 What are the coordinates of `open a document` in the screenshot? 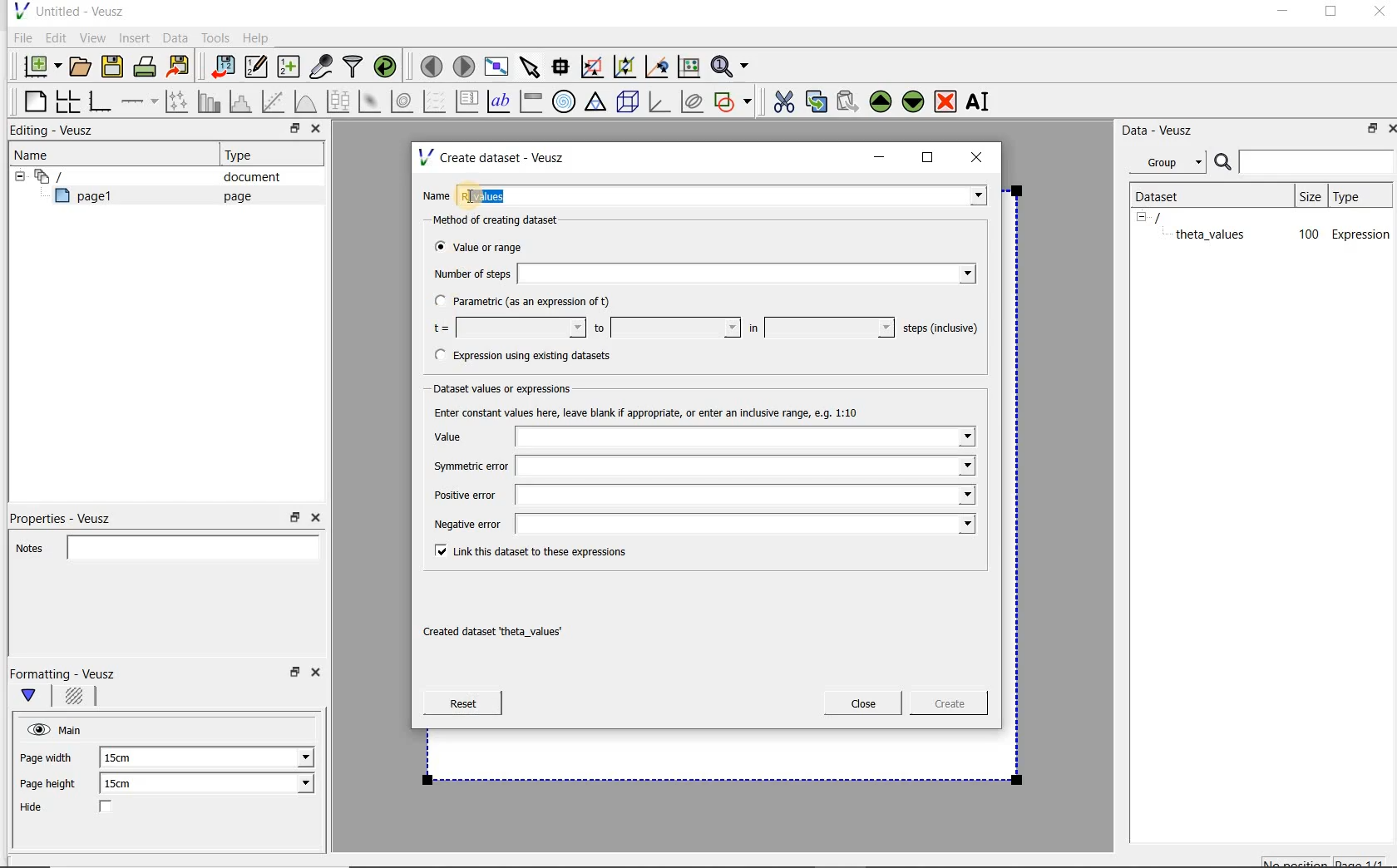 It's located at (82, 65).